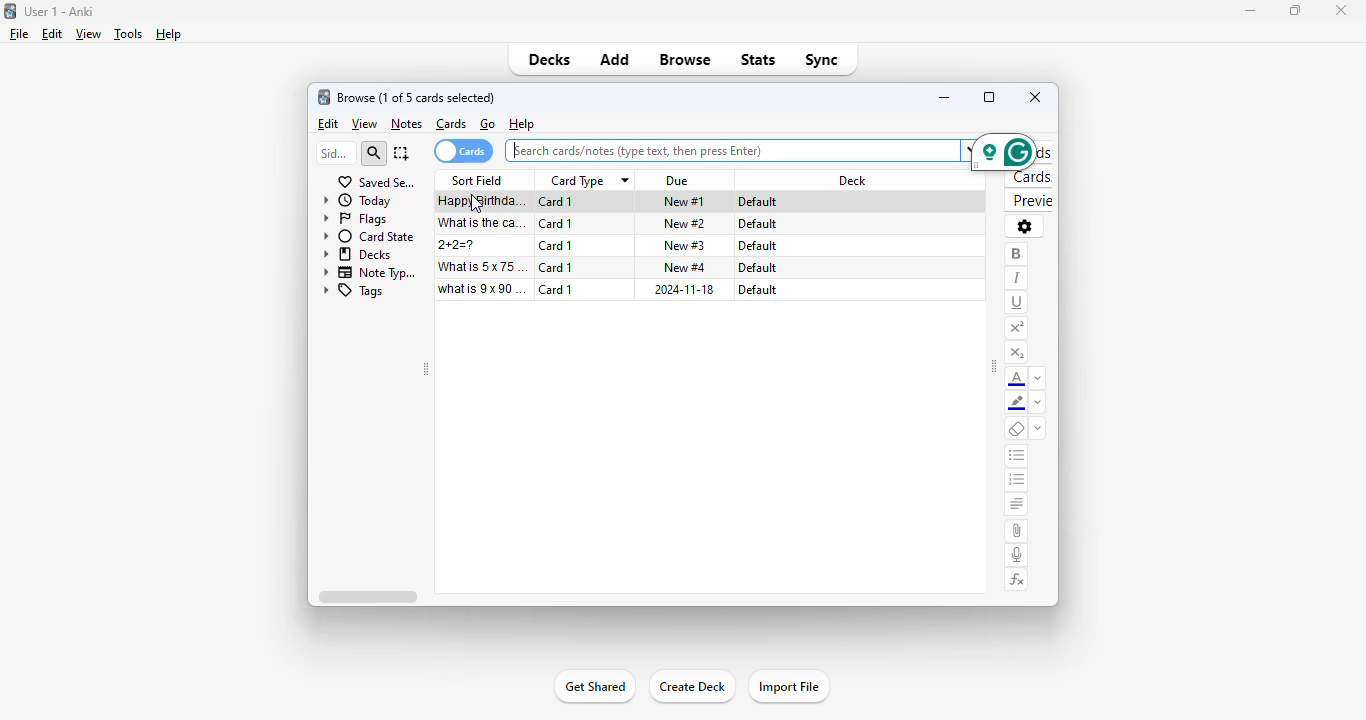  What do you see at coordinates (451, 124) in the screenshot?
I see `cards` at bounding box center [451, 124].